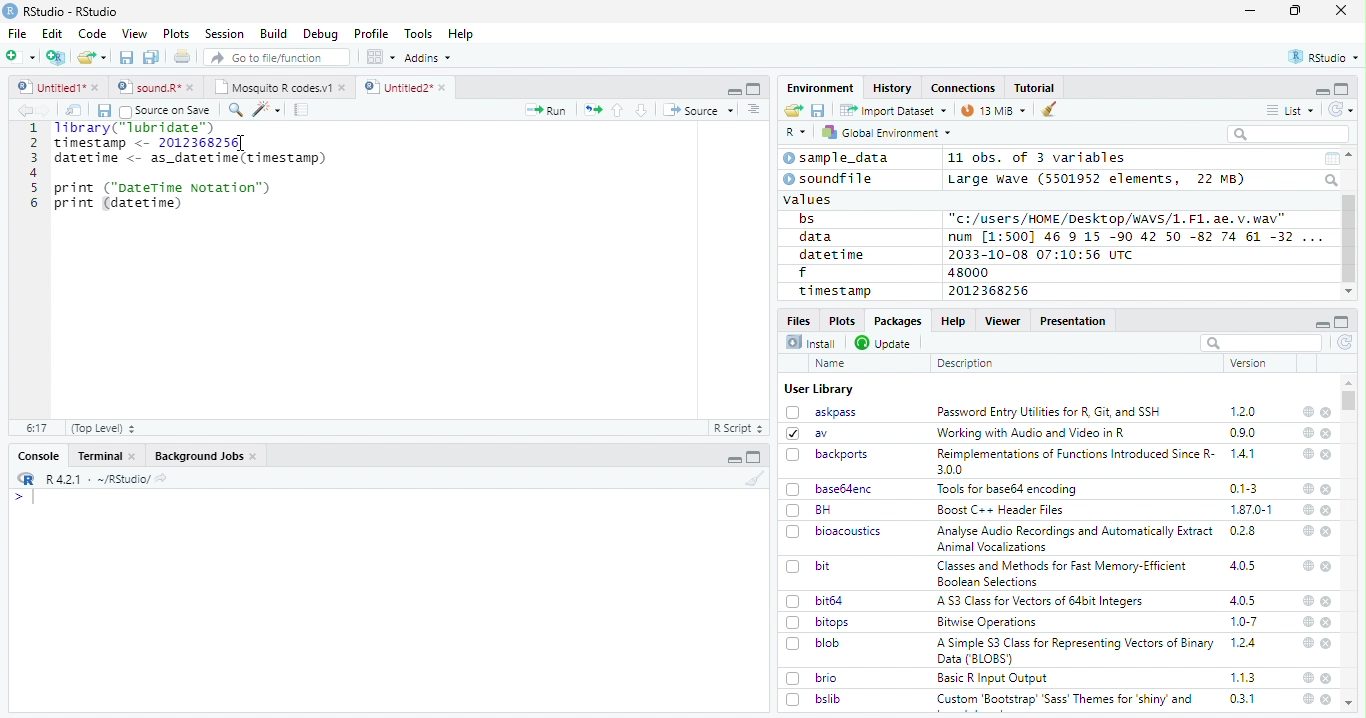 Image resolution: width=1366 pixels, height=718 pixels. Describe the element at coordinates (91, 34) in the screenshot. I see `Code` at that location.